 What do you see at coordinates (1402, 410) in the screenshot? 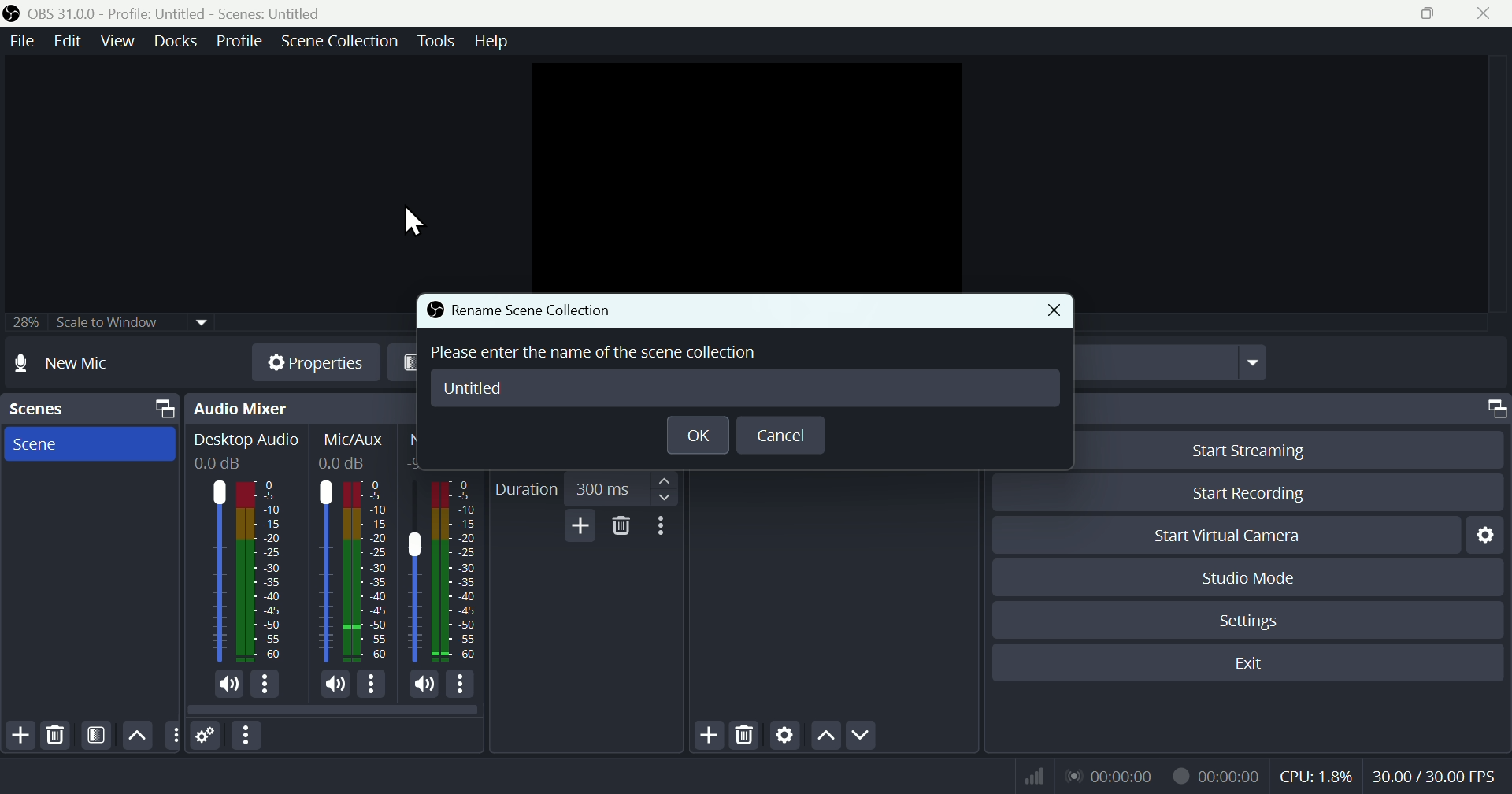
I see `controls` at bounding box center [1402, 410].